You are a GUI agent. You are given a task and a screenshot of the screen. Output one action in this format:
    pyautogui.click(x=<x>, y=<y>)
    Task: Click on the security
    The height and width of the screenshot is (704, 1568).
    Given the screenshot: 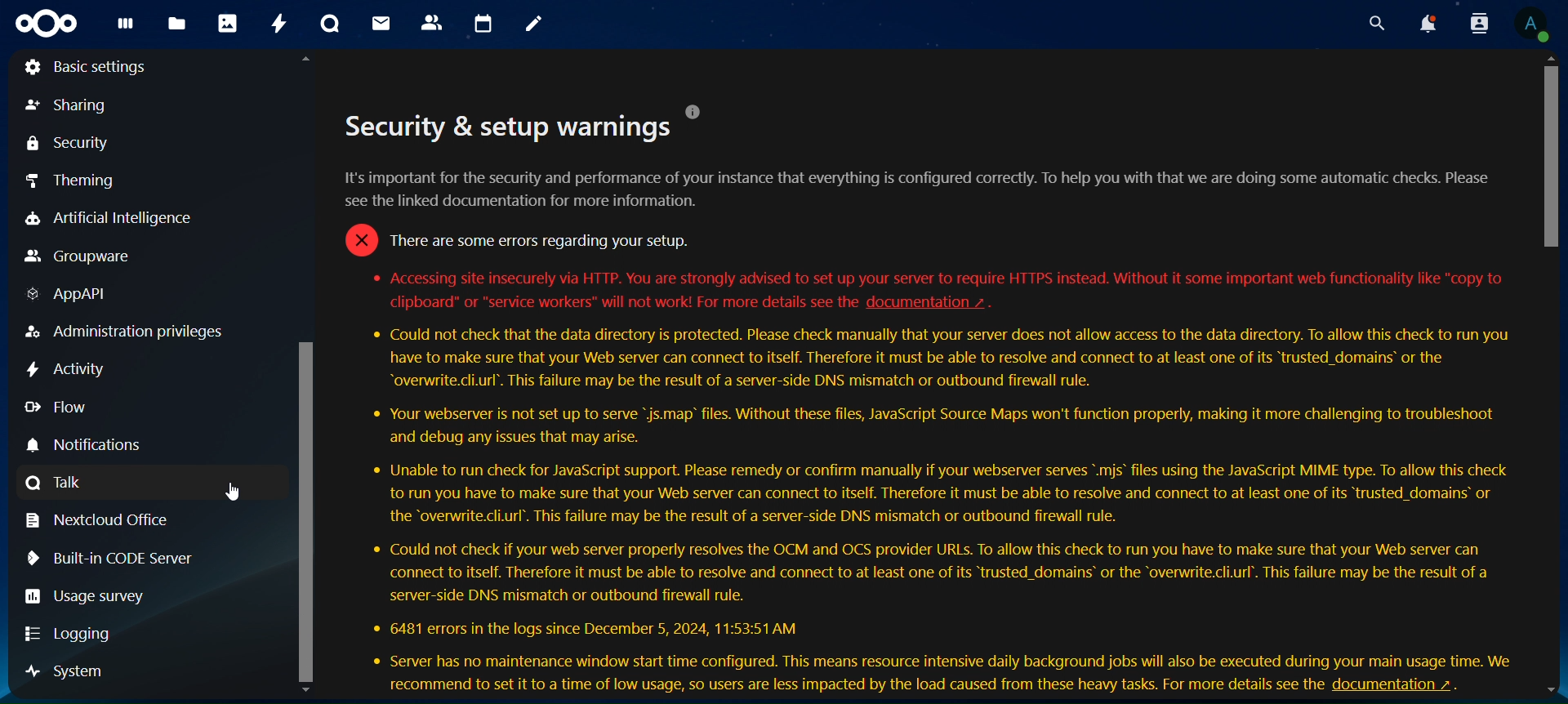 What is the action you would take?
    pyautogui.click(x=72, y=145)
    